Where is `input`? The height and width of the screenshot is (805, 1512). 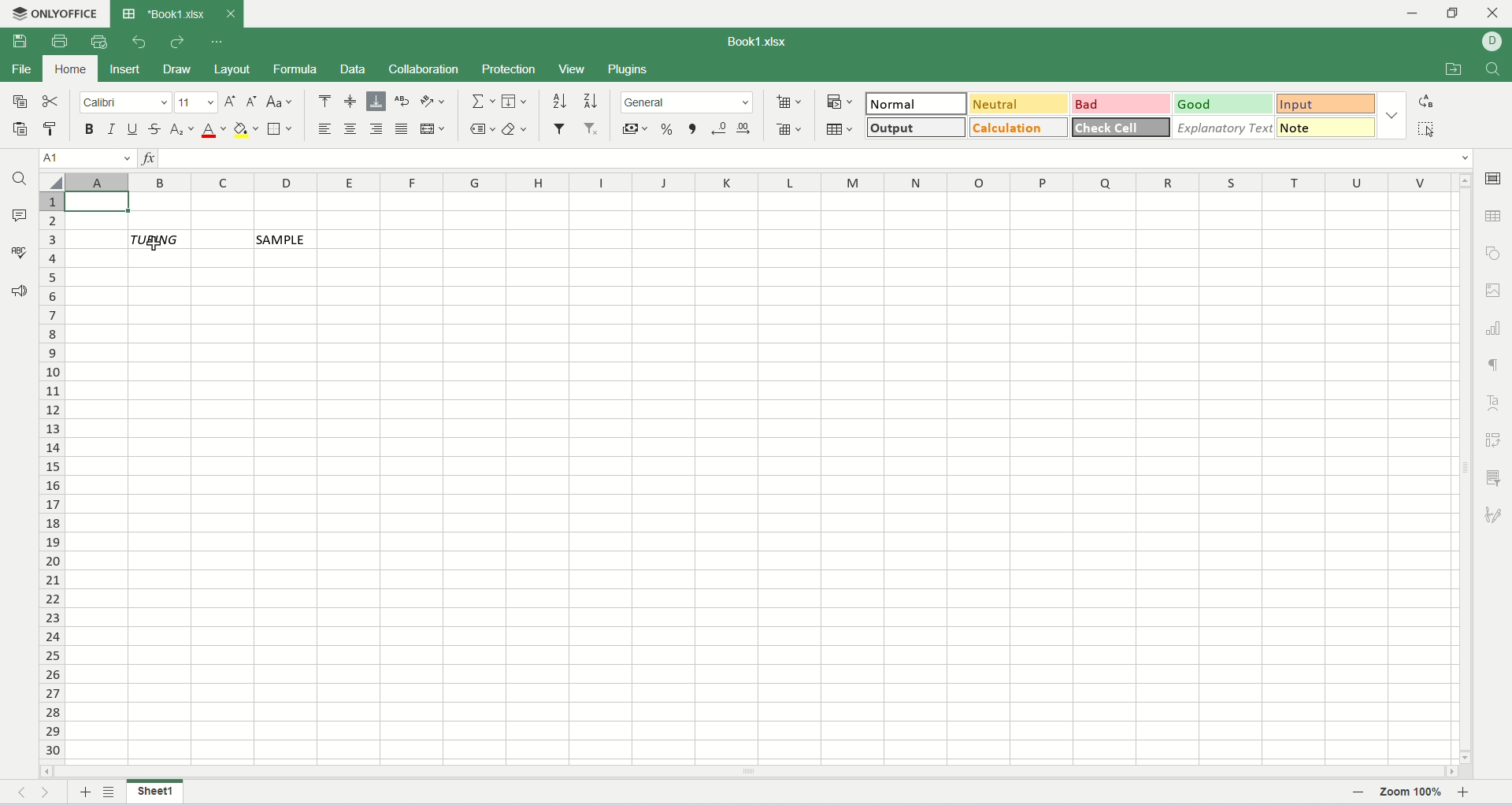 input is located at coordinates (1329, 104).